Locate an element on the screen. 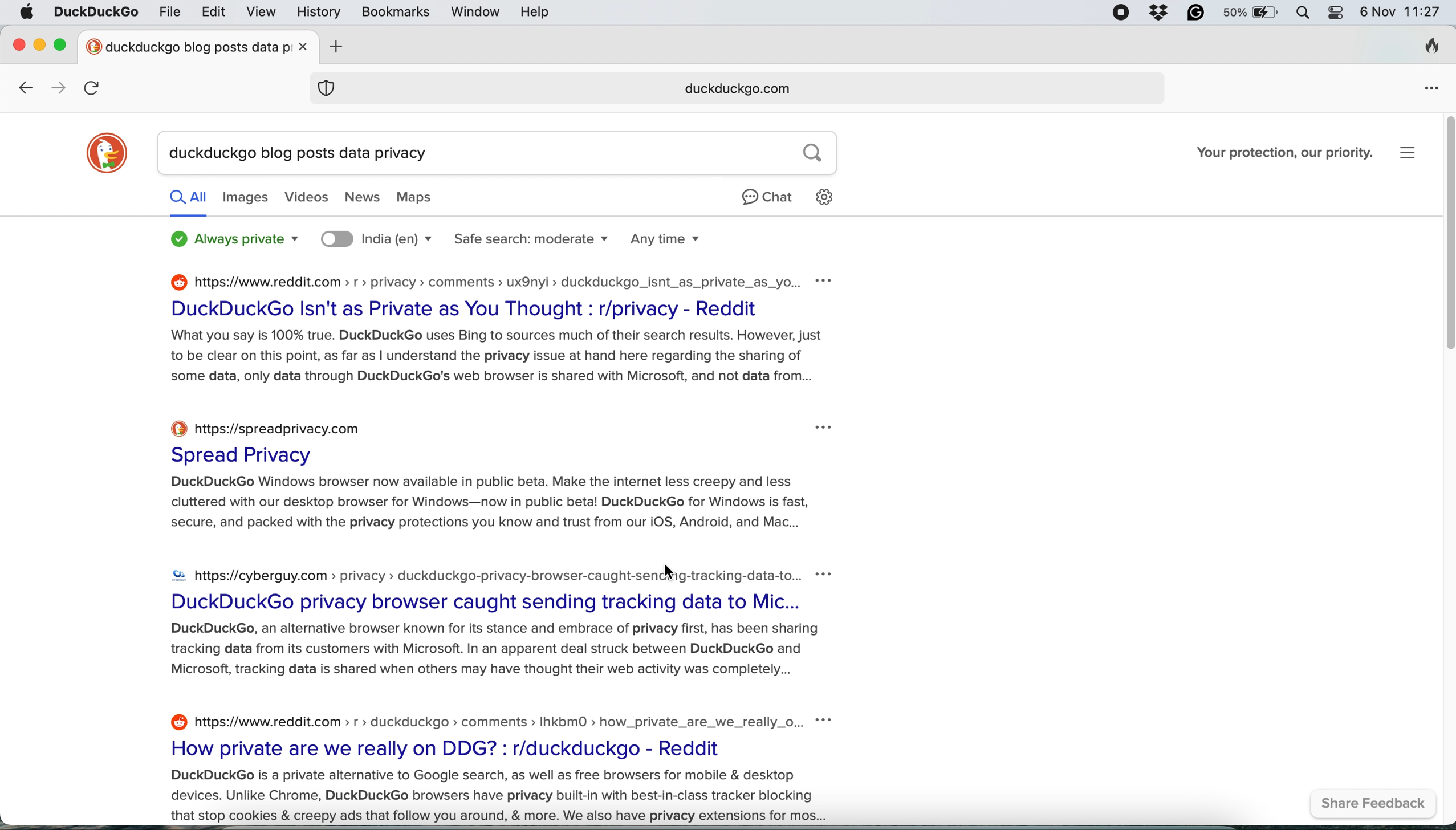  refresh is located at coordinates (94, 87).